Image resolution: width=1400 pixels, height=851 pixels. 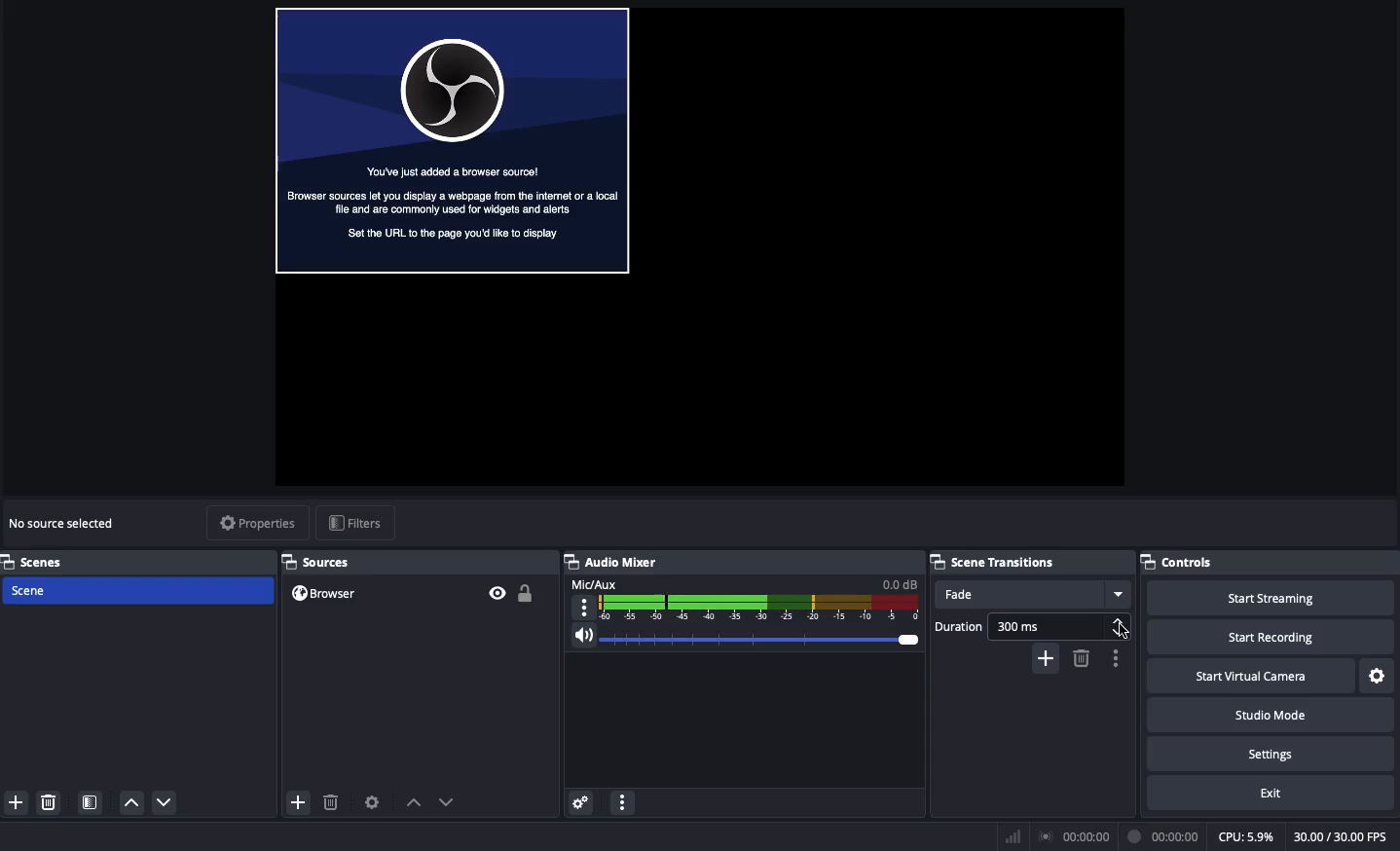 I want to click on Move up, so click(x=131, y=803).